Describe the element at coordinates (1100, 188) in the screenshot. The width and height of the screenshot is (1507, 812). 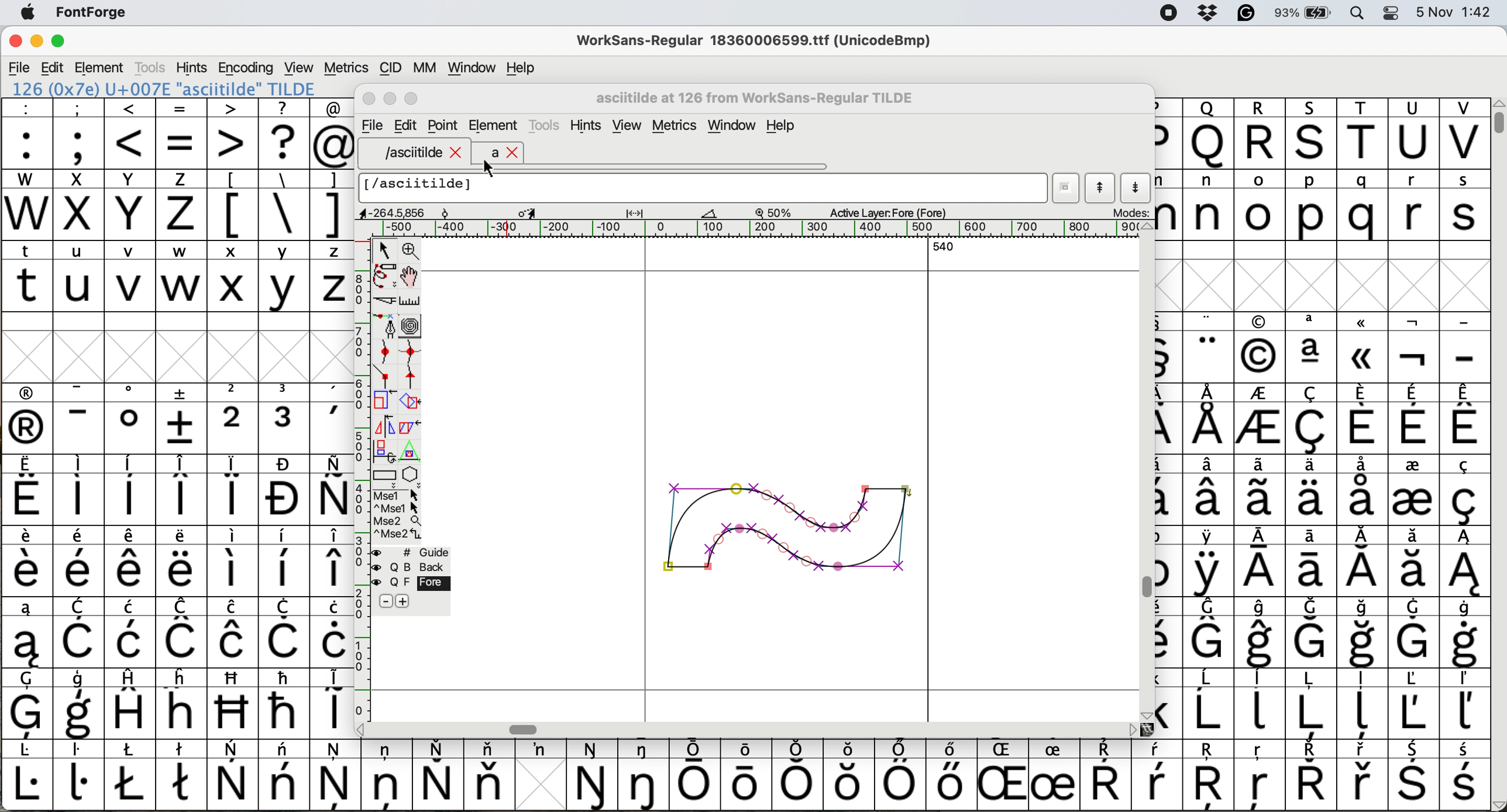
I see `show previous letter` at that location.